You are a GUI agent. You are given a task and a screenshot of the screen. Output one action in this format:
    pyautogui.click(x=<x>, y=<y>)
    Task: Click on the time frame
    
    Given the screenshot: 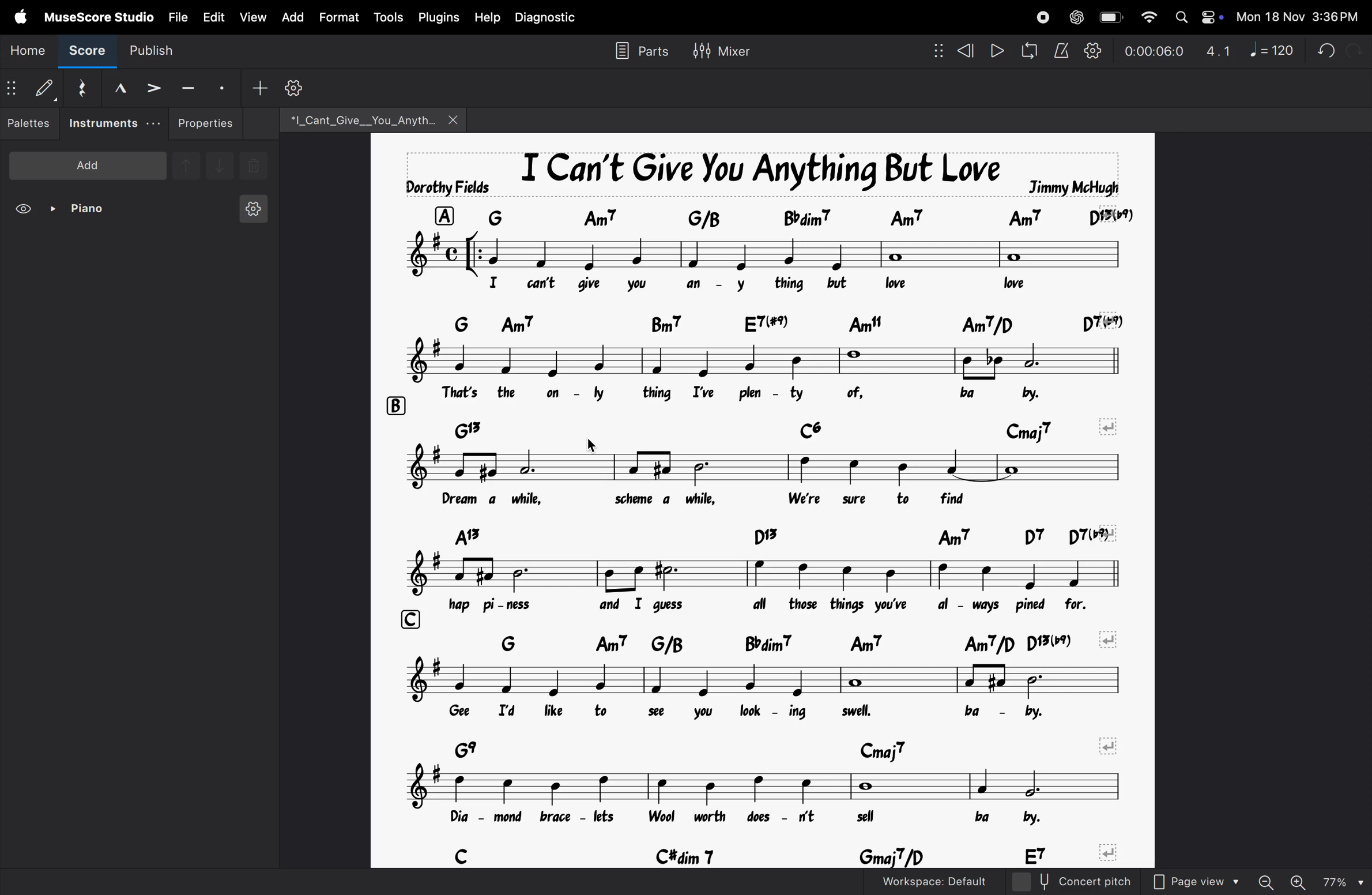 What is the action you would take?
    pyautogui.click(x=1149, y=51)
    